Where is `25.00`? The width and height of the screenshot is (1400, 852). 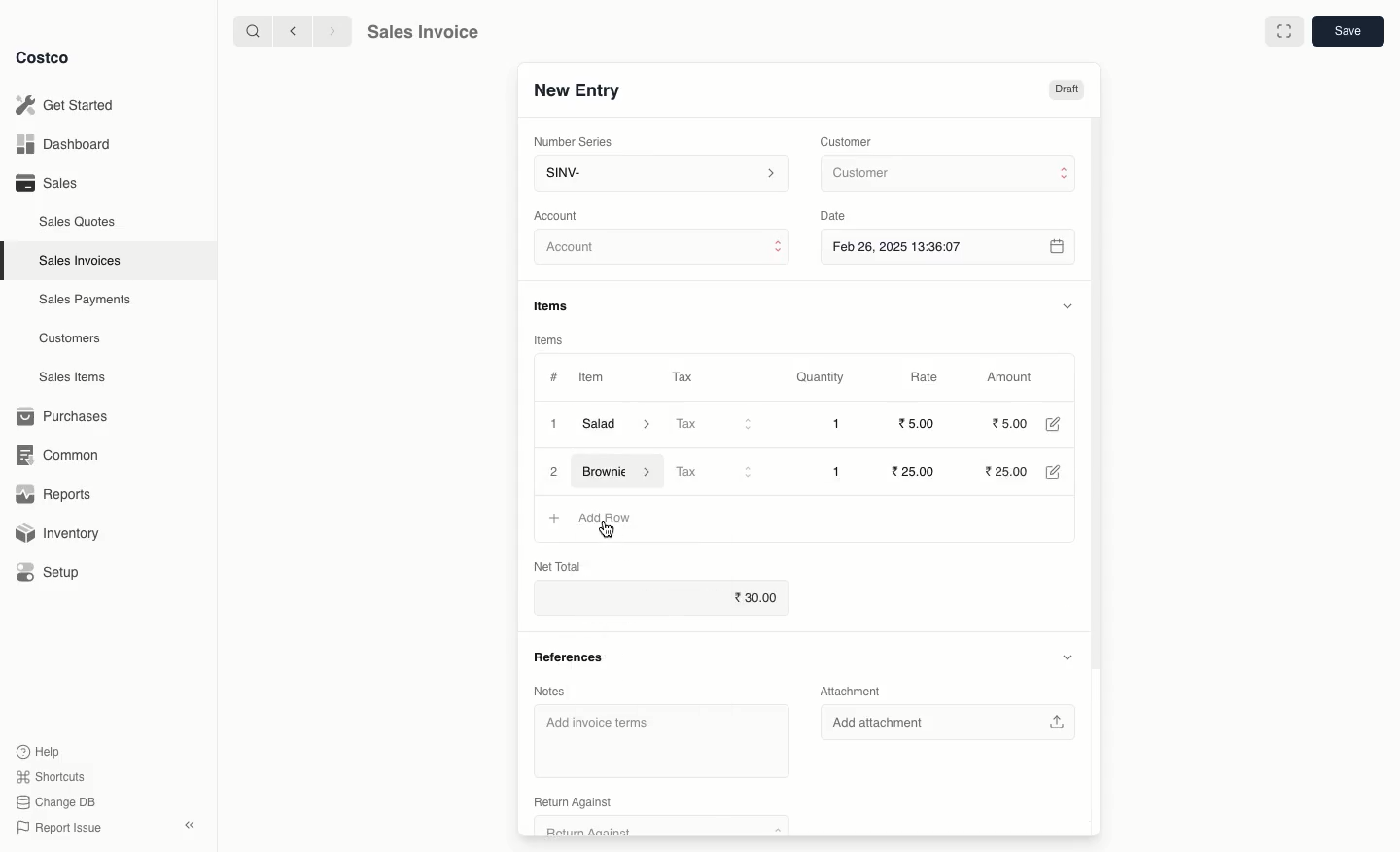 25.00 is located at coordinates (1011, 472).